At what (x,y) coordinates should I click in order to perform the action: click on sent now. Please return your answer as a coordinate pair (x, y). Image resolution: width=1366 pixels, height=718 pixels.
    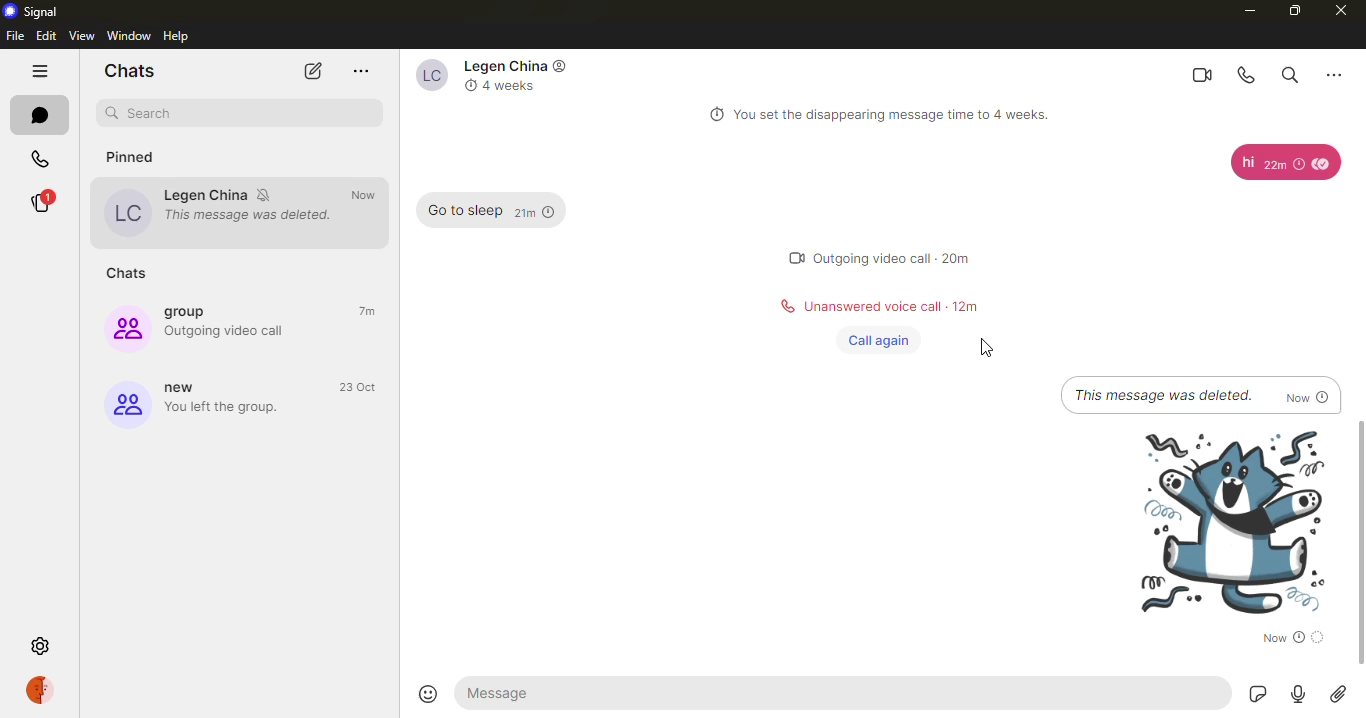
    Looking at the image, I should click on (1292, 636).